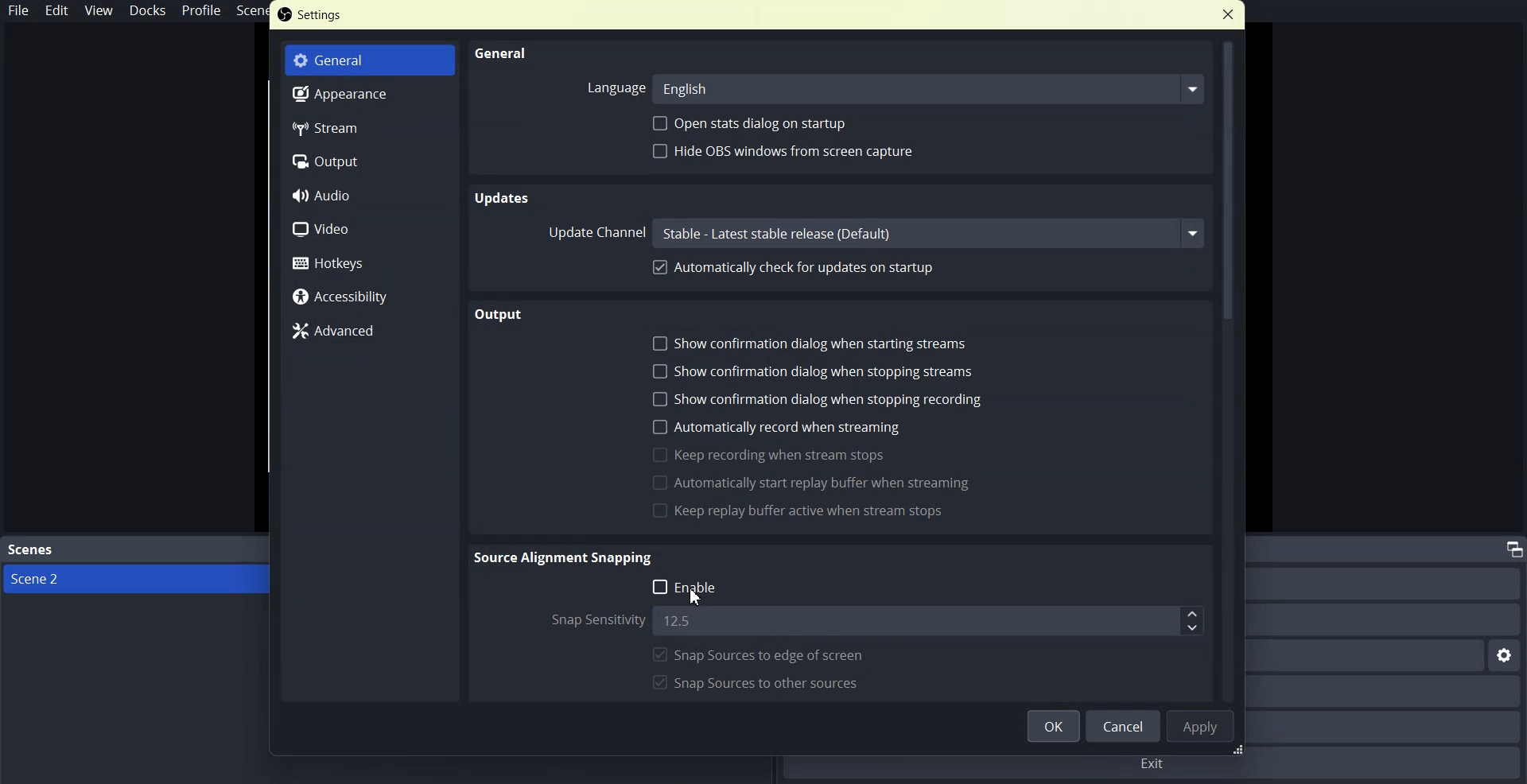 The height and width of the screenshot is (784, 1527). What do you see at coordinates (58, 10) in the screenshot?
I see `Edit` at bounding box center [58, 10].